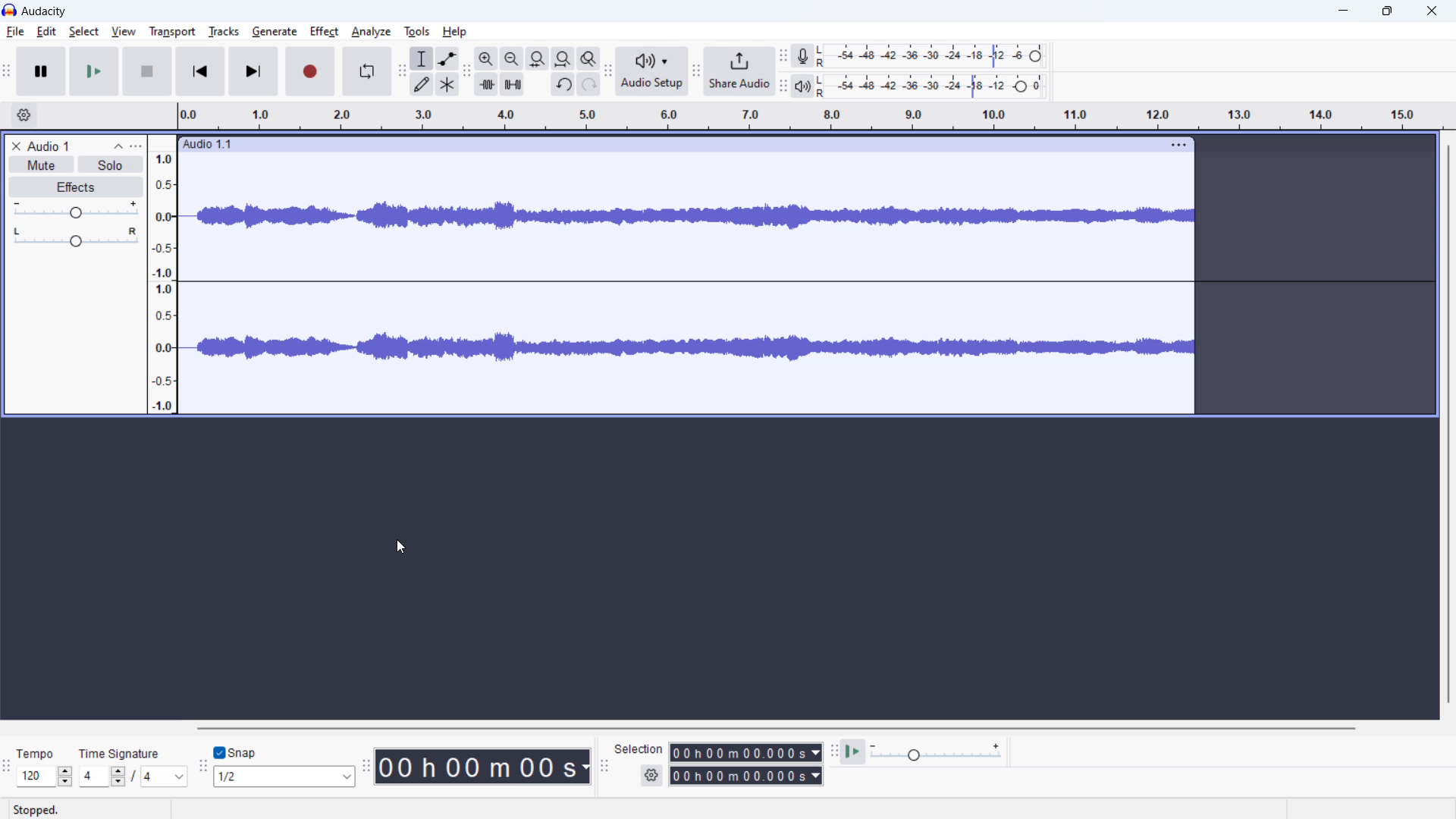  Describe the element at coordinates (808, 116) in the screenshot. I see `timeline` at that location.